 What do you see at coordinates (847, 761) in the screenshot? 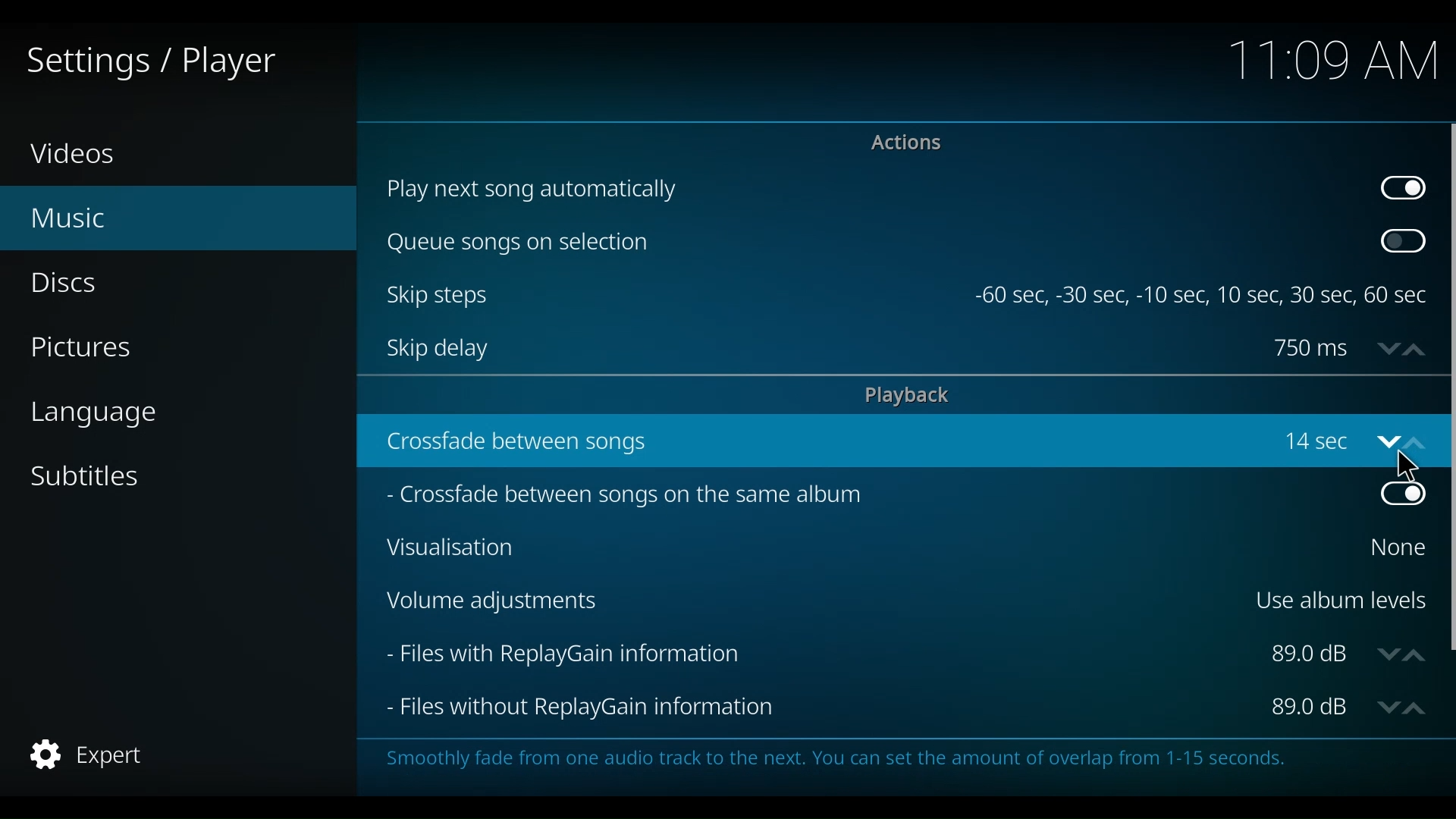
I see `Smoothly fade from one audio track to the next. You can set the amount of overlap from 1-15 seconds.` at bounding box center [847, 761].